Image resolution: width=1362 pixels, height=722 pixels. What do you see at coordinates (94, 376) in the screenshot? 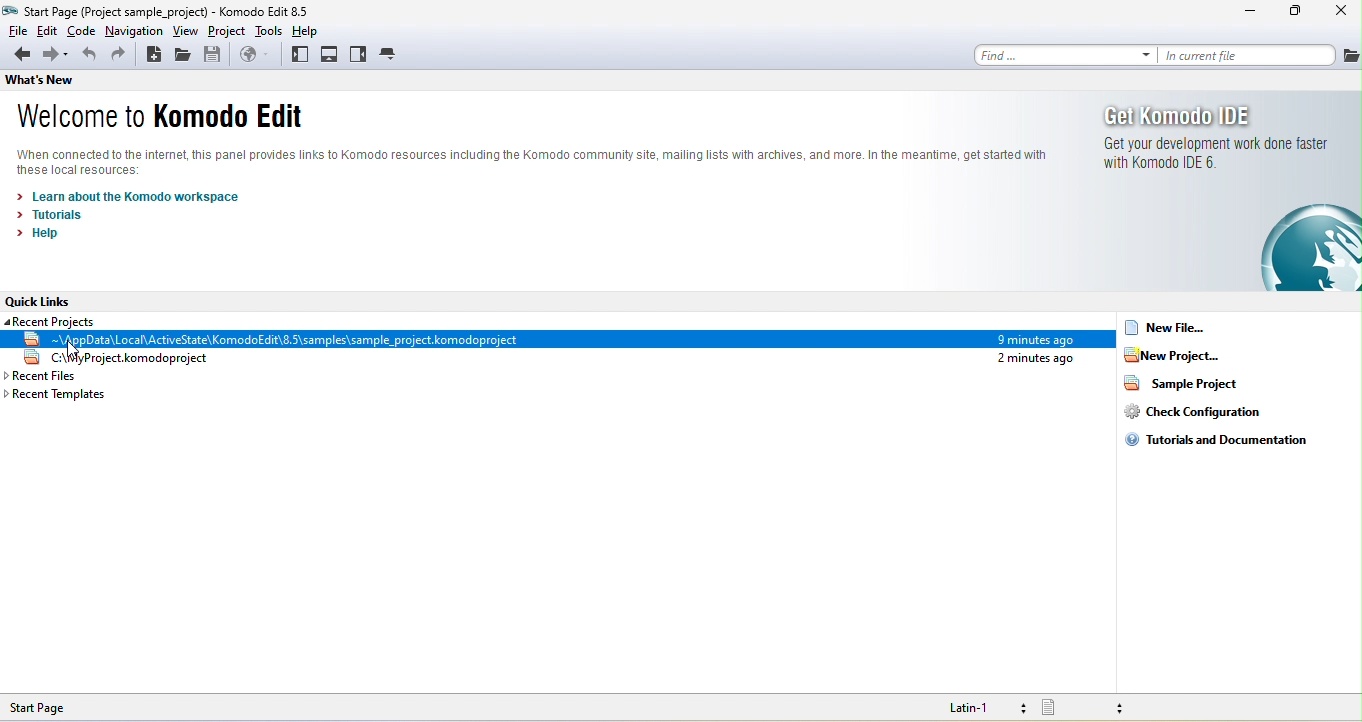
I see `recent file` at bounding box center [94, 376].